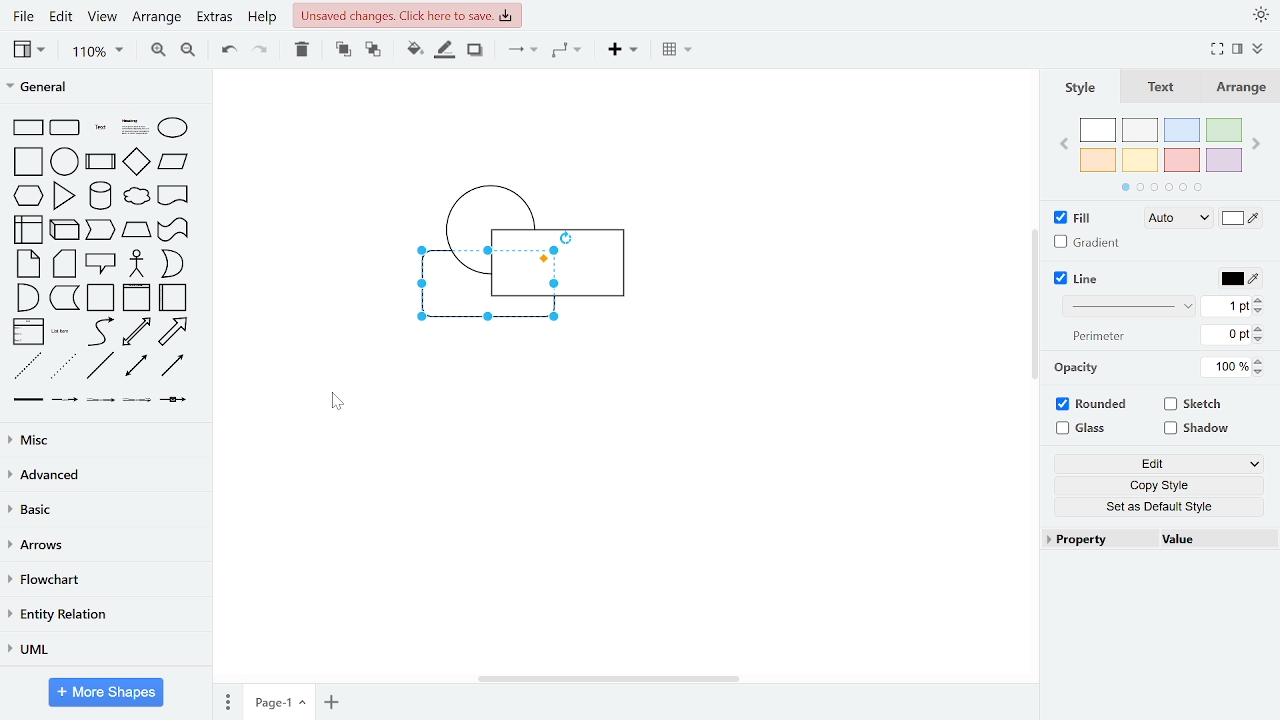  What do you see at coordinates (216, 20) in the screenshot?
I see `extras` at bounding box center [216, 20].